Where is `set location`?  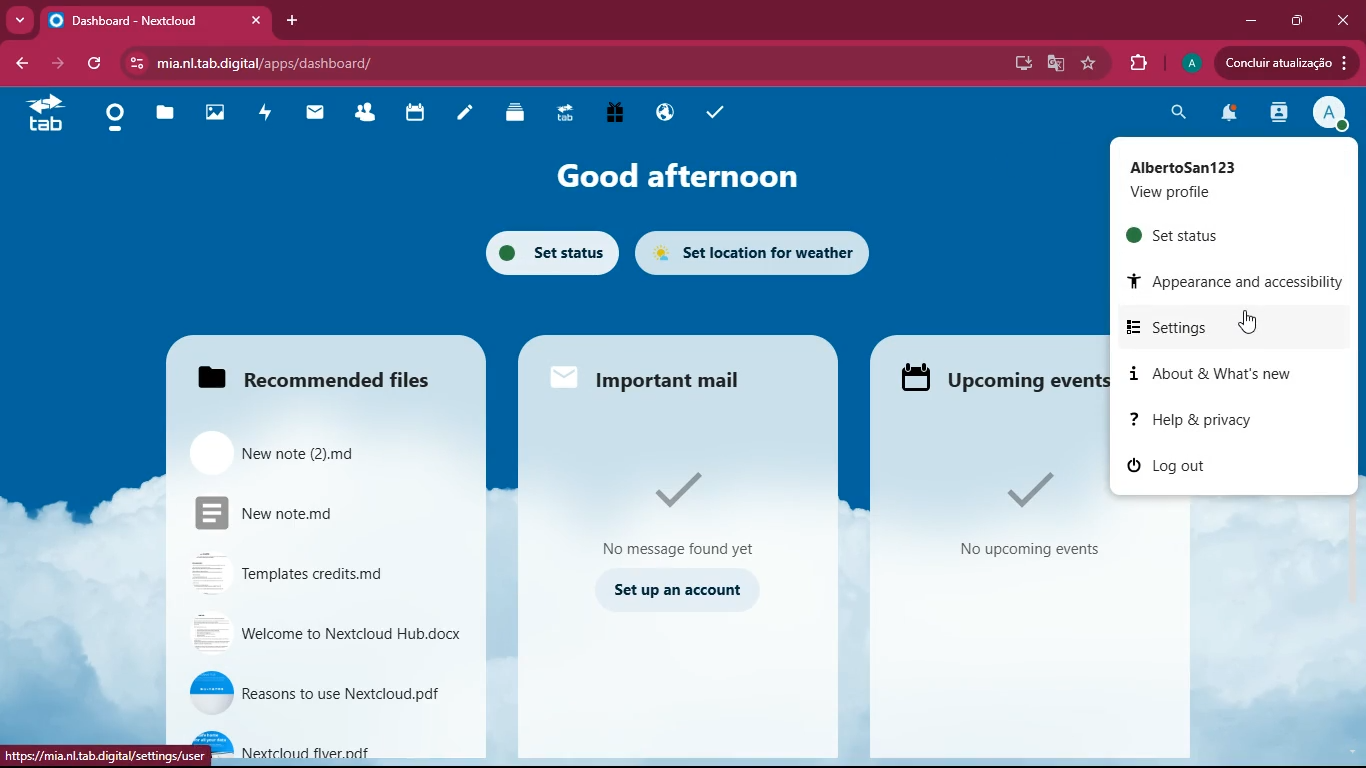
set location is located at coordinates (756, 252).